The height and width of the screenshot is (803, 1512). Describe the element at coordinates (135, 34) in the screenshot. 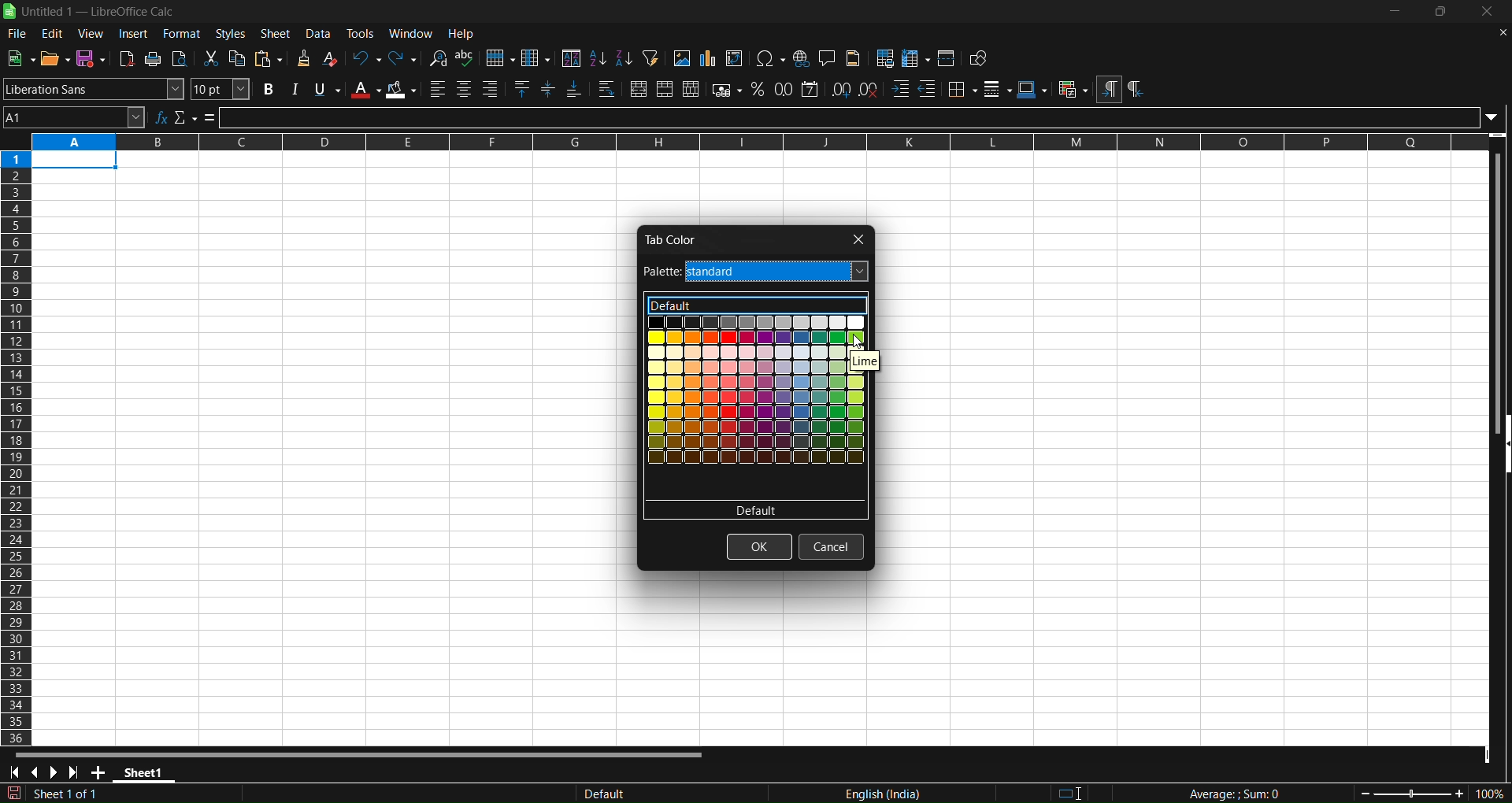

I see `insert` at that location.